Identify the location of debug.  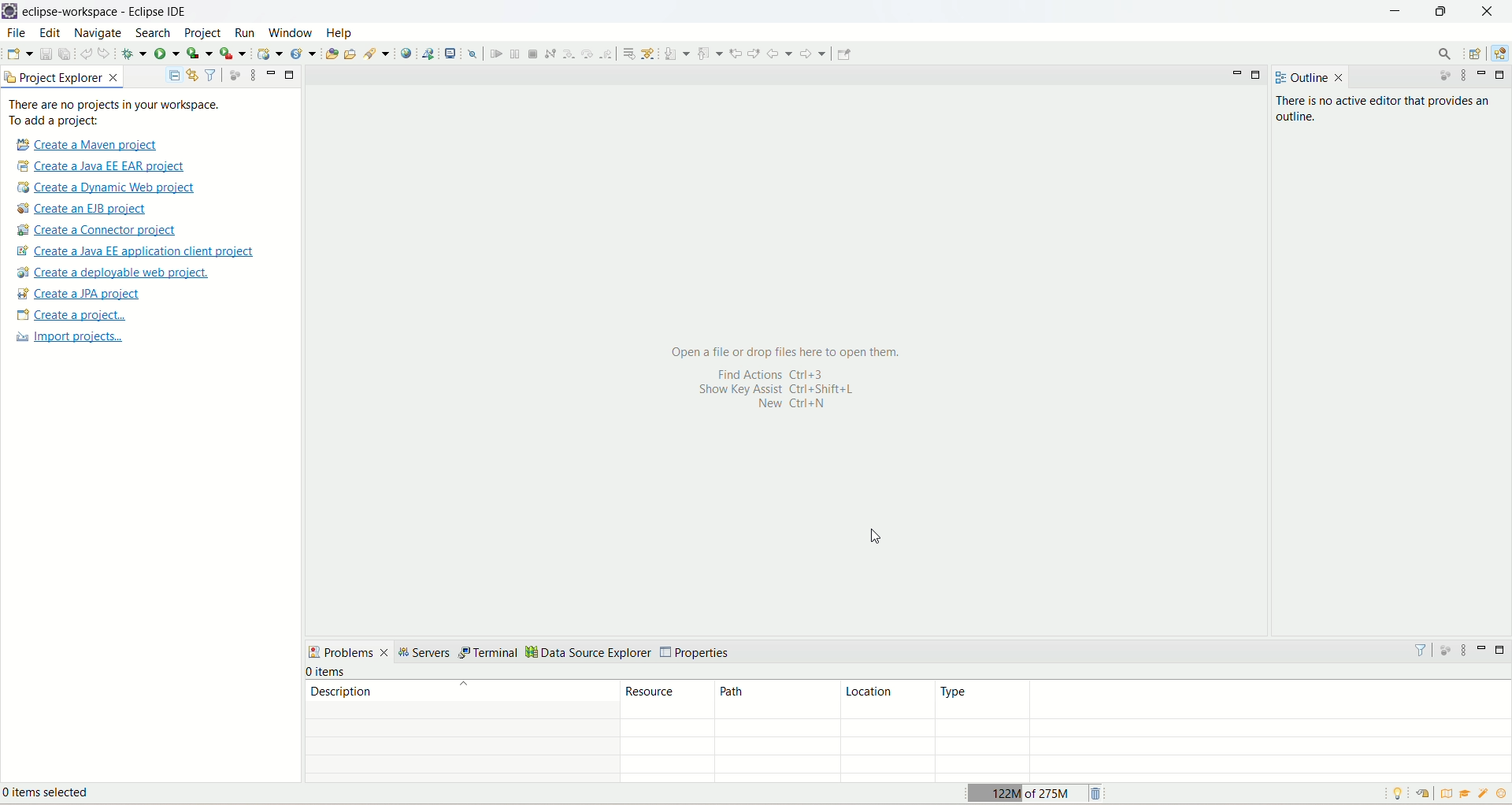
(134, 54).